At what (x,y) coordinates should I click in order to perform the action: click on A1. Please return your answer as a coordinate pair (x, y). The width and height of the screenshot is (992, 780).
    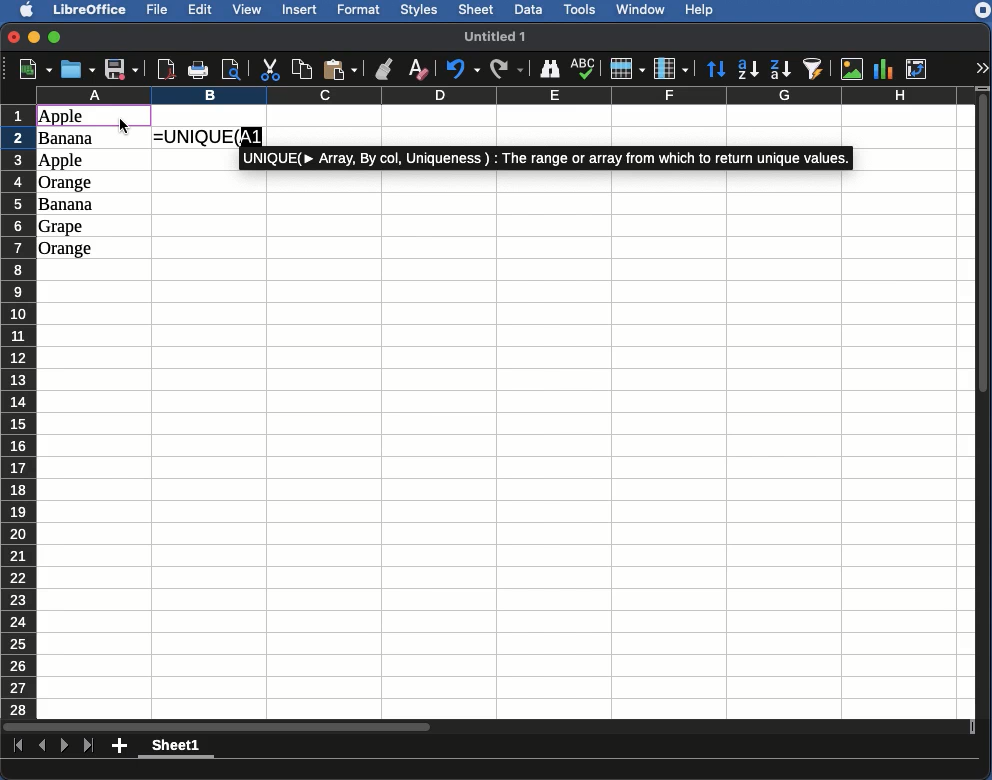
    Looking at the image, I should click on (252, 136).